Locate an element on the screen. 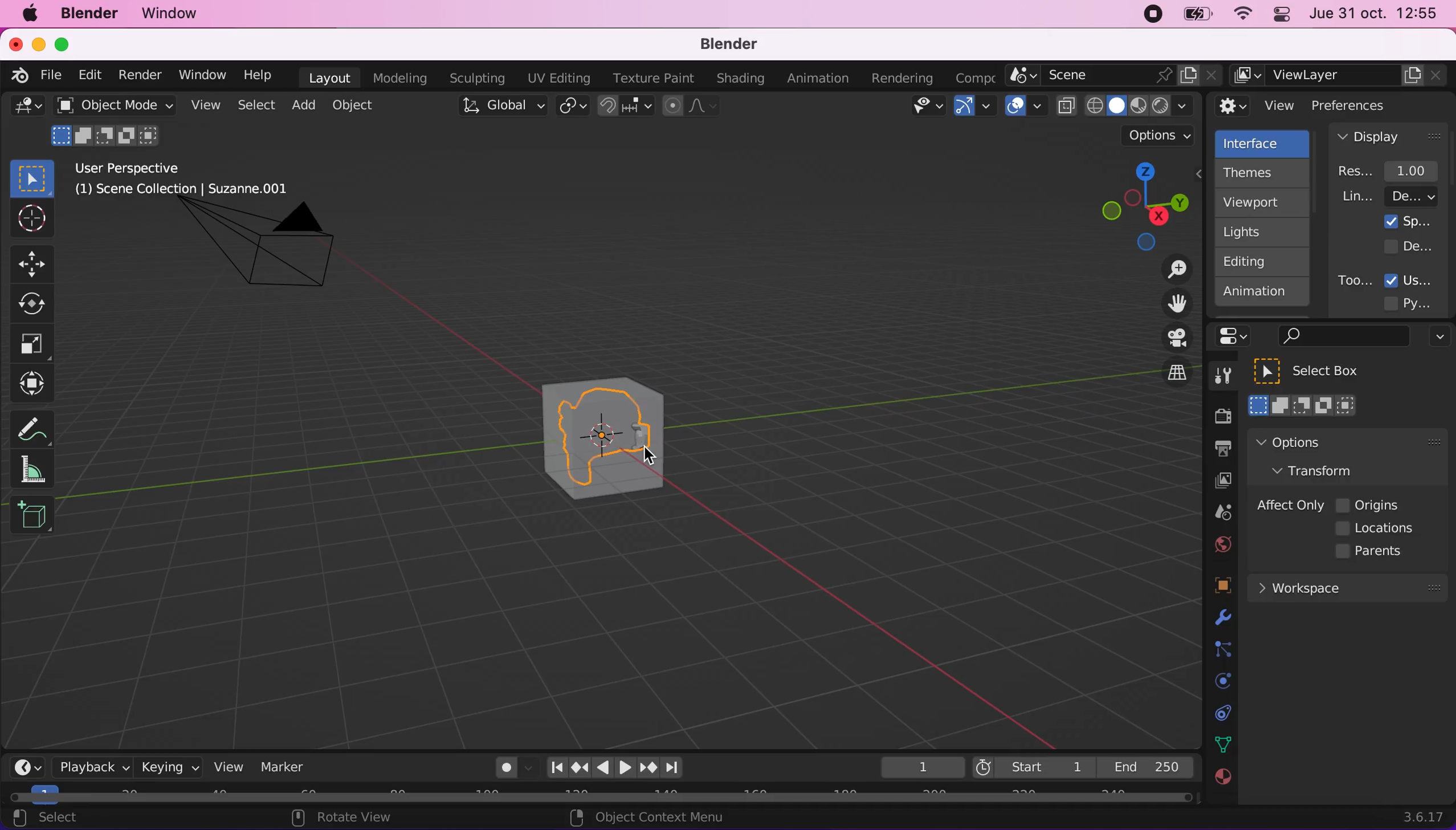  world is located at coordinates (1220, 543).